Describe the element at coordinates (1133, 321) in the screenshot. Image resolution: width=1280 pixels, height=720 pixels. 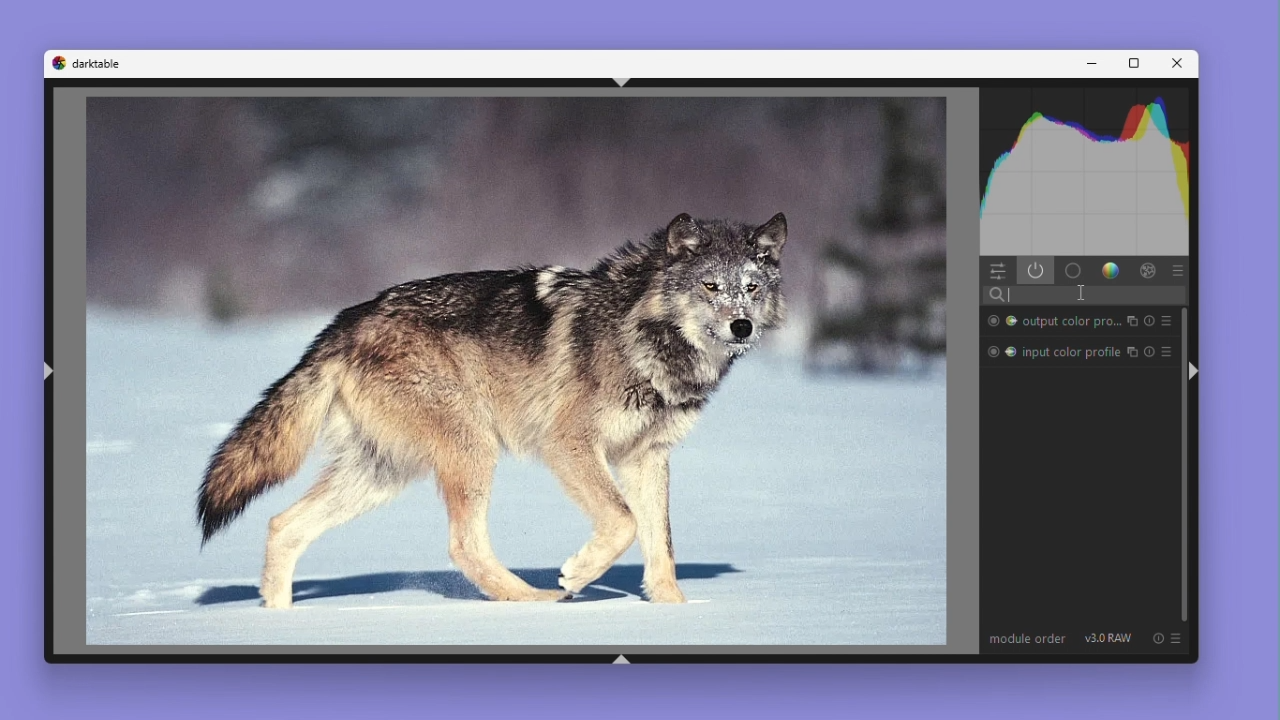
I see `Enable/disable module` at that location.